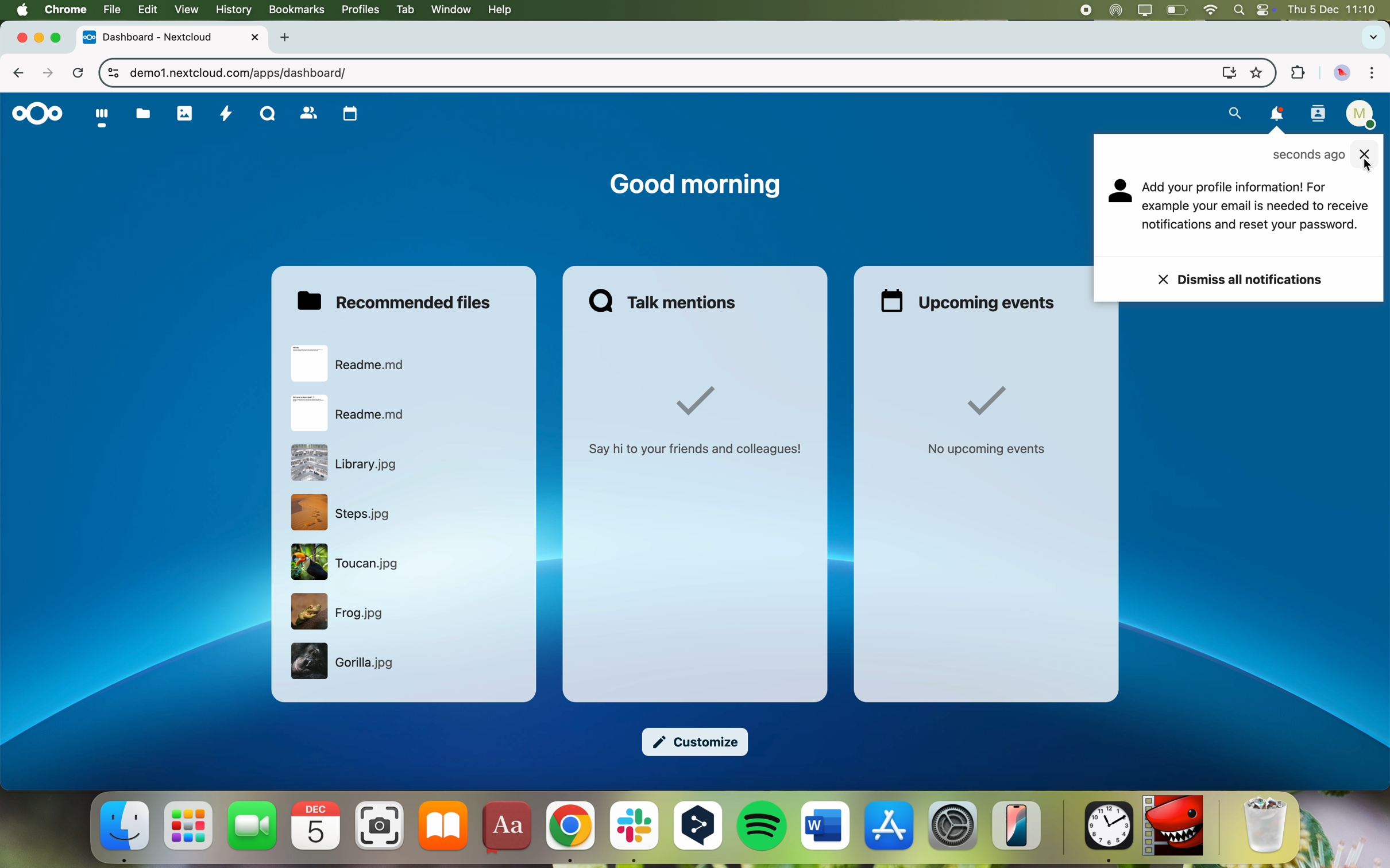 The image size is (1390, 868). Describe the element at coordinates (79, 74) in the screenshot. I see `refresh the page` at that location.